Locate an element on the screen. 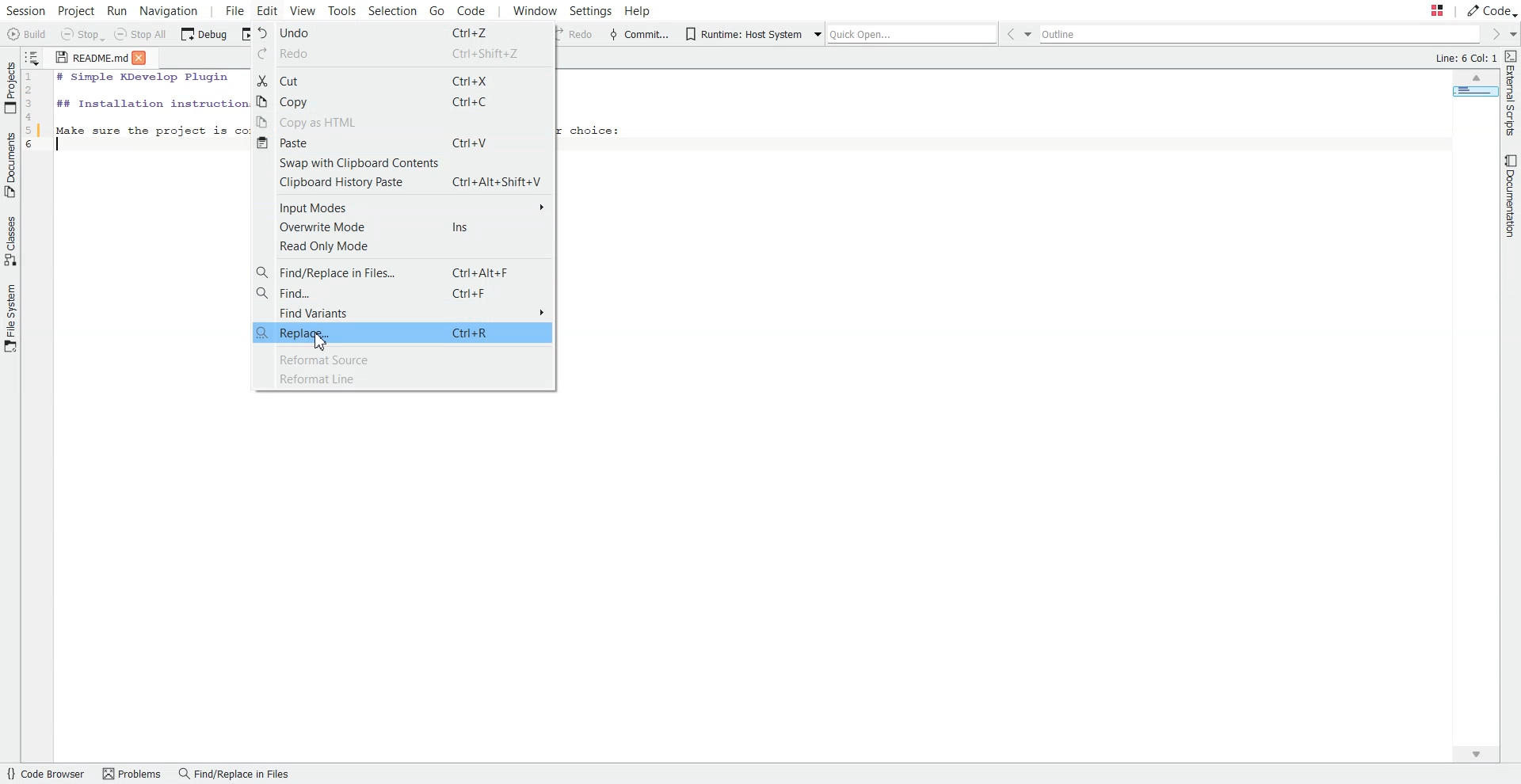  README.md (document) is located at coordinates (91, 59).